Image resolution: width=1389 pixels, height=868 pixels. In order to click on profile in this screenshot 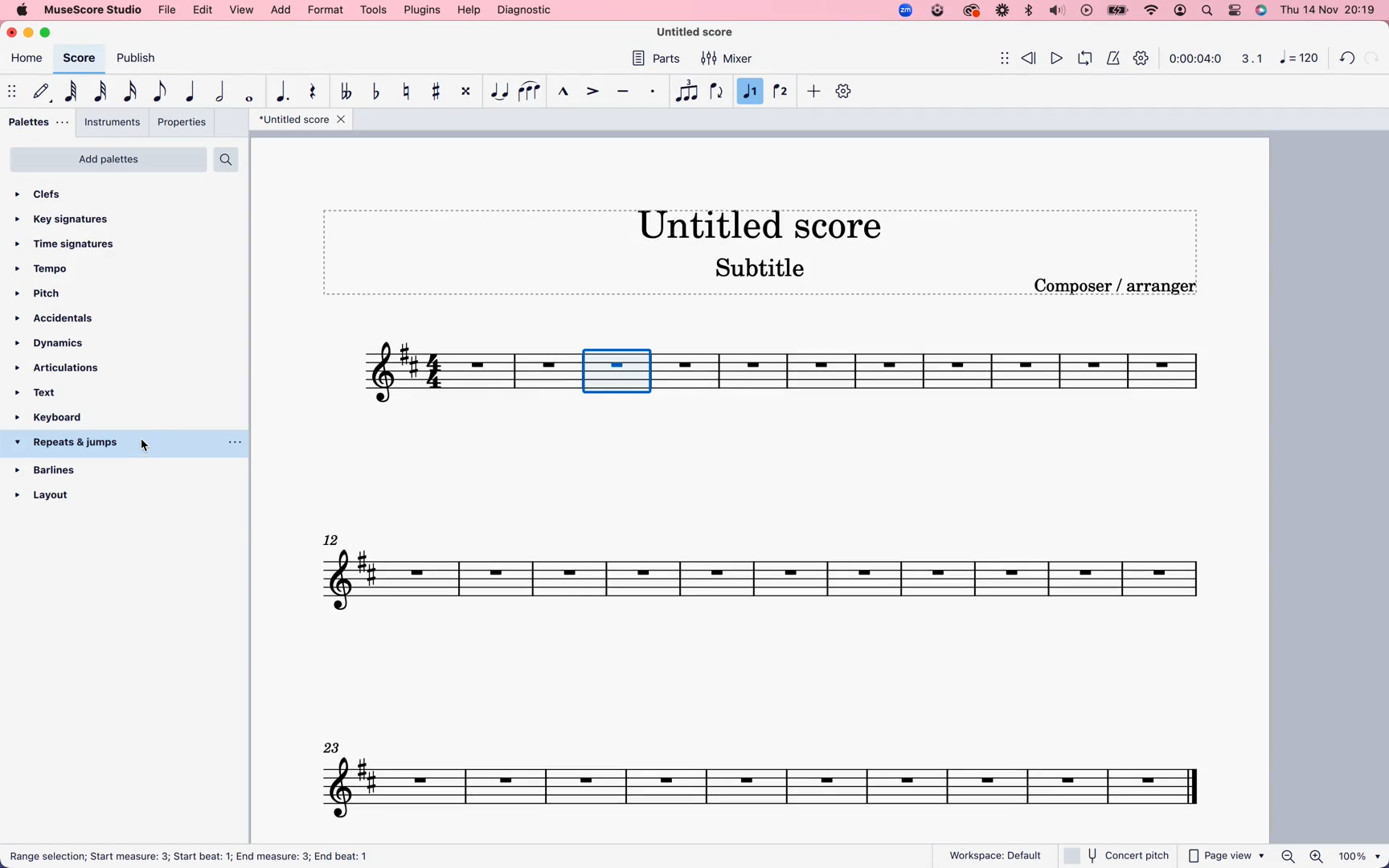, I will do `click(1182, 11)`.